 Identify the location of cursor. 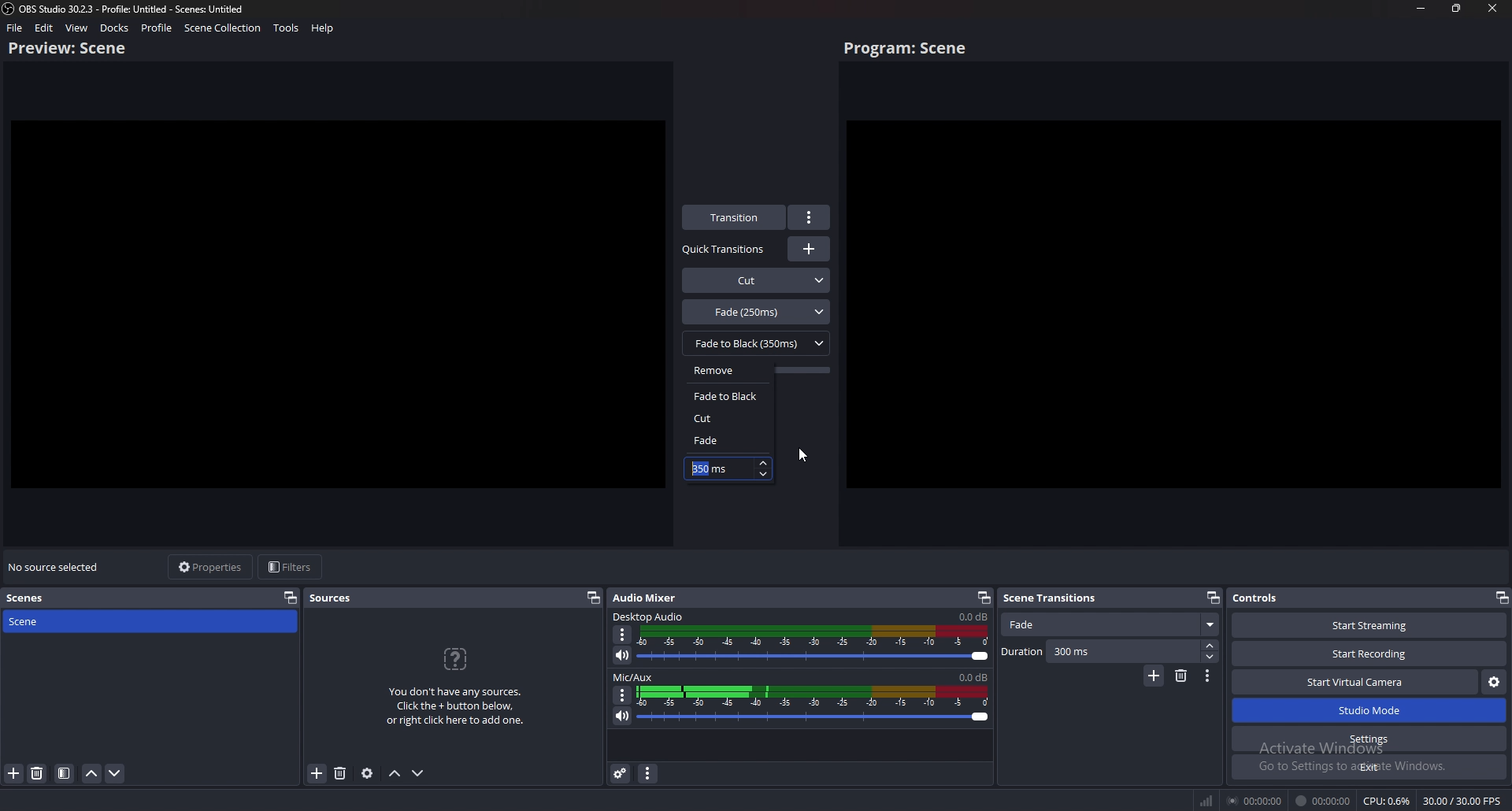
(802, 456).